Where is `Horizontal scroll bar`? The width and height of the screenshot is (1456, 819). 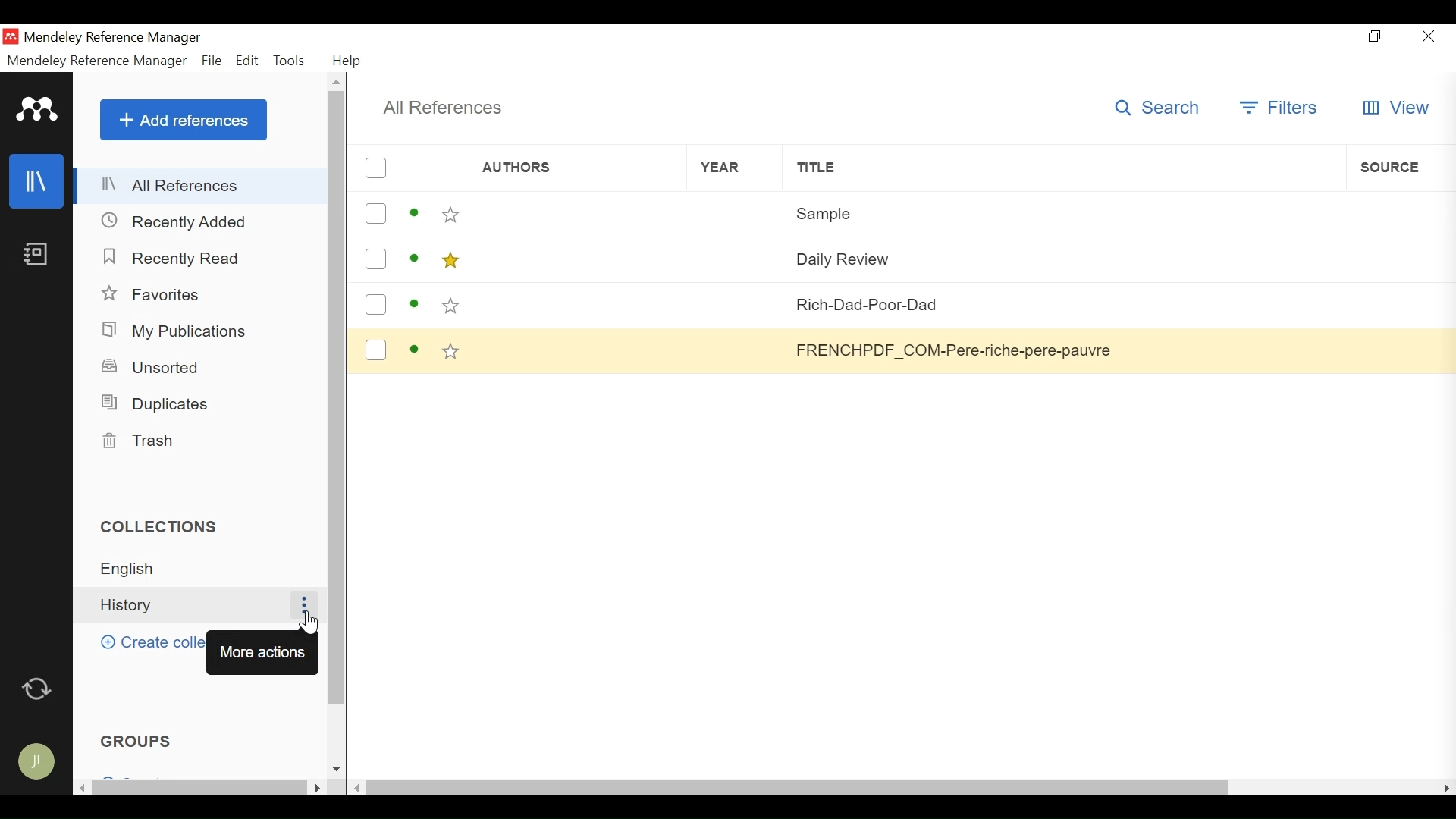 Horizontal scroll bar is located at coordinates (799, 786).